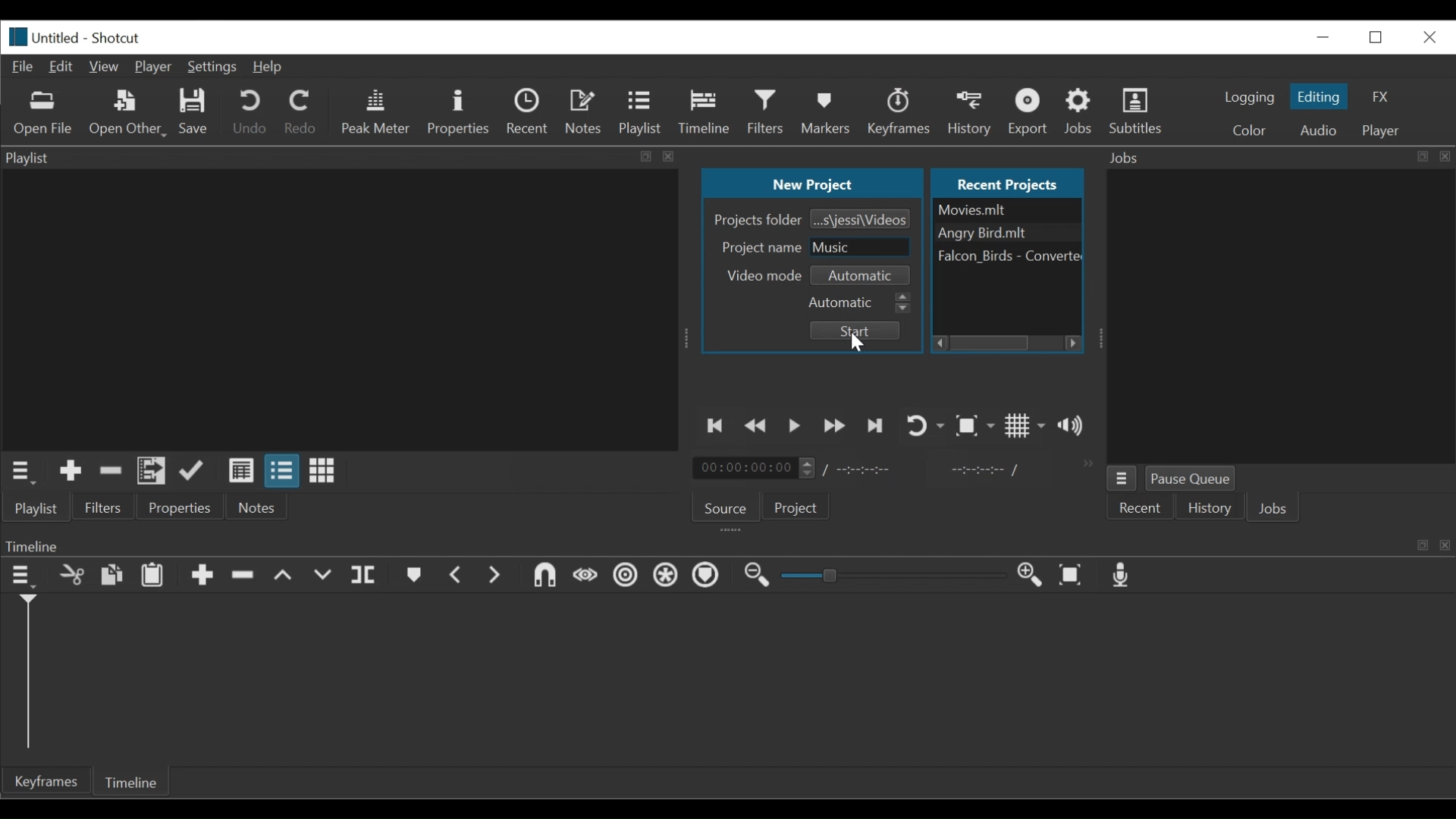 This screenshot has width=1456, height=819. I want to click on Source, so click(726, 508).